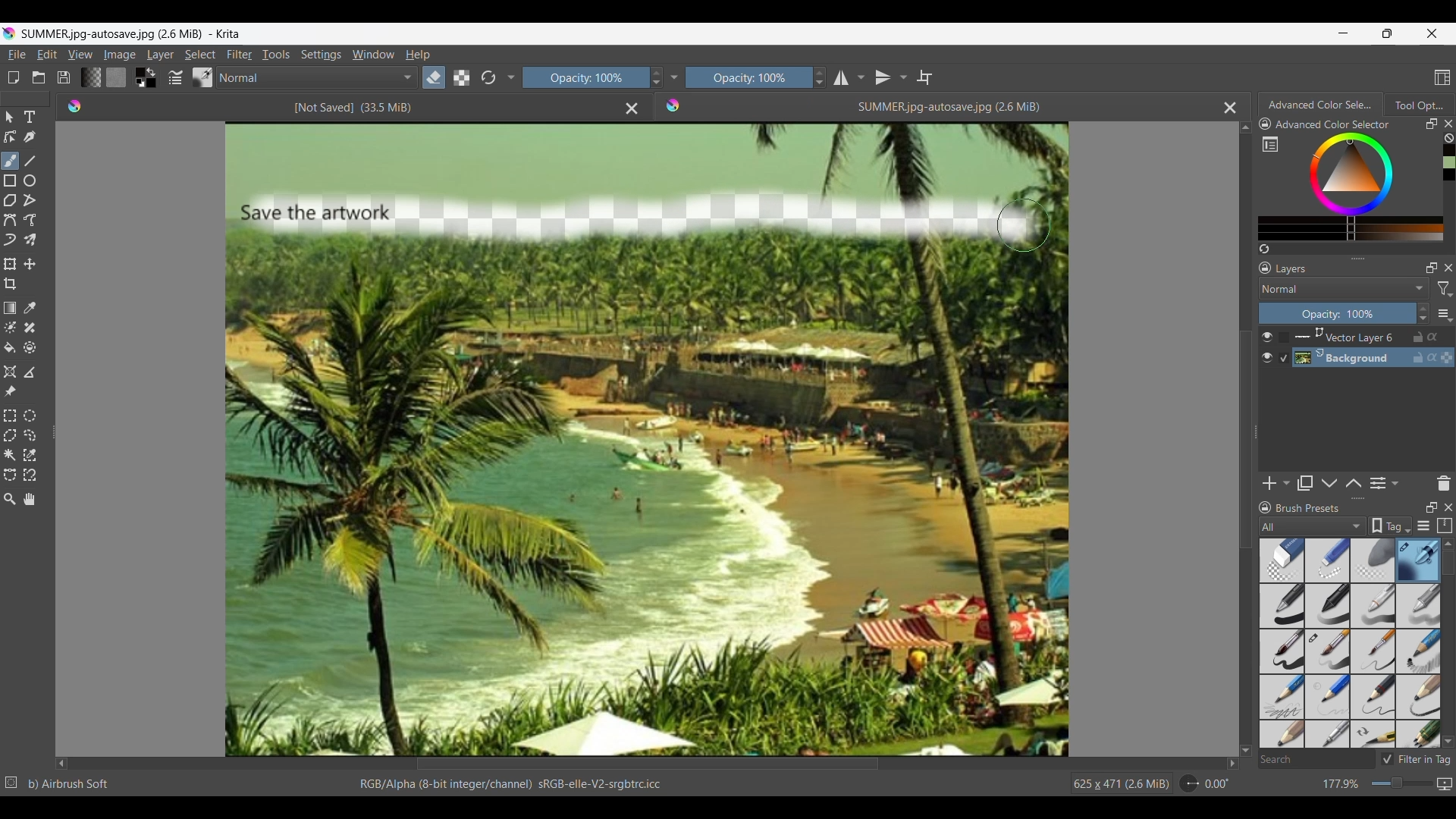 The width and height of the screenshot is (1456, 819). Describe the element at coordinates (10, 392) in the screenshot. I see `Reference images tool` at that location.